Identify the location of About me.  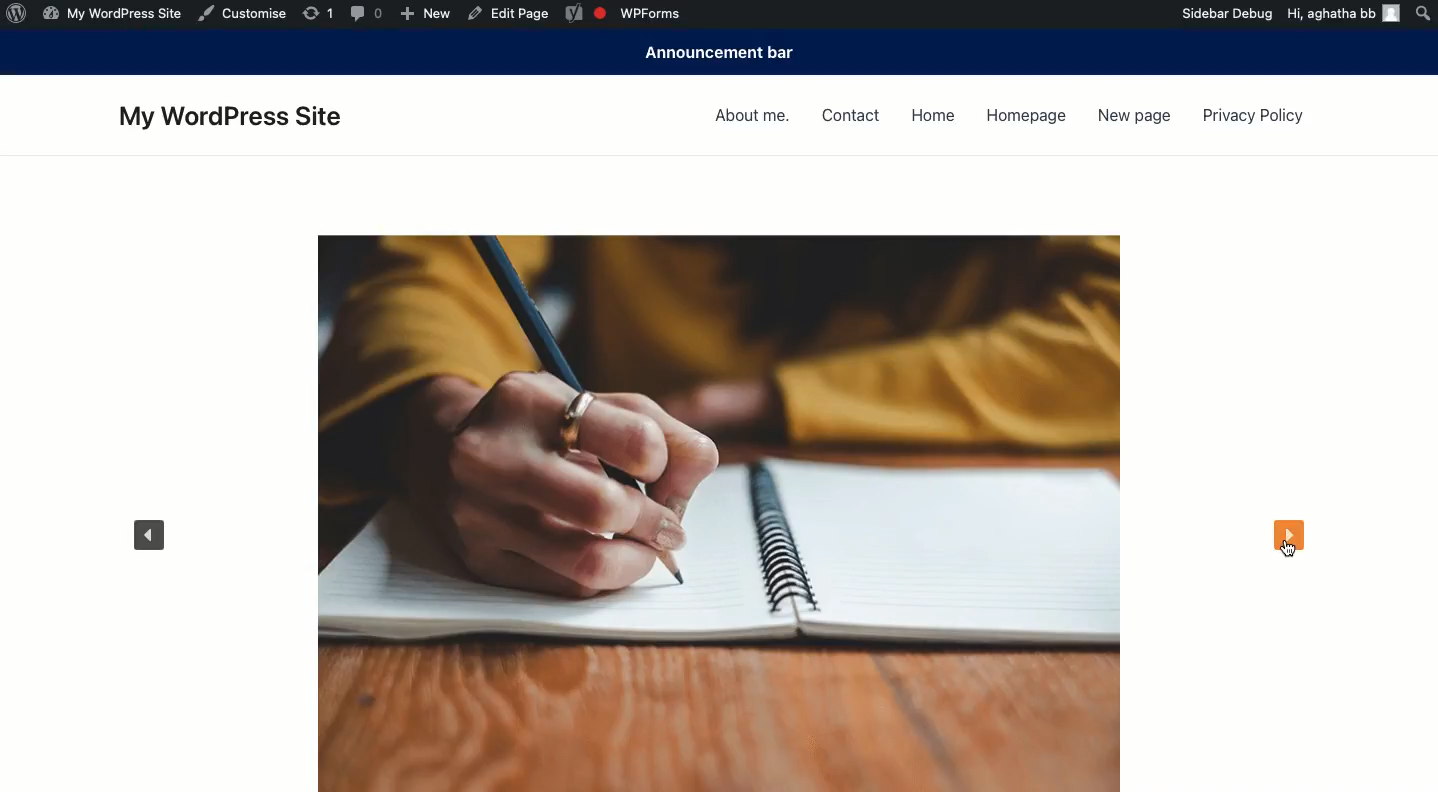
(749, 117).